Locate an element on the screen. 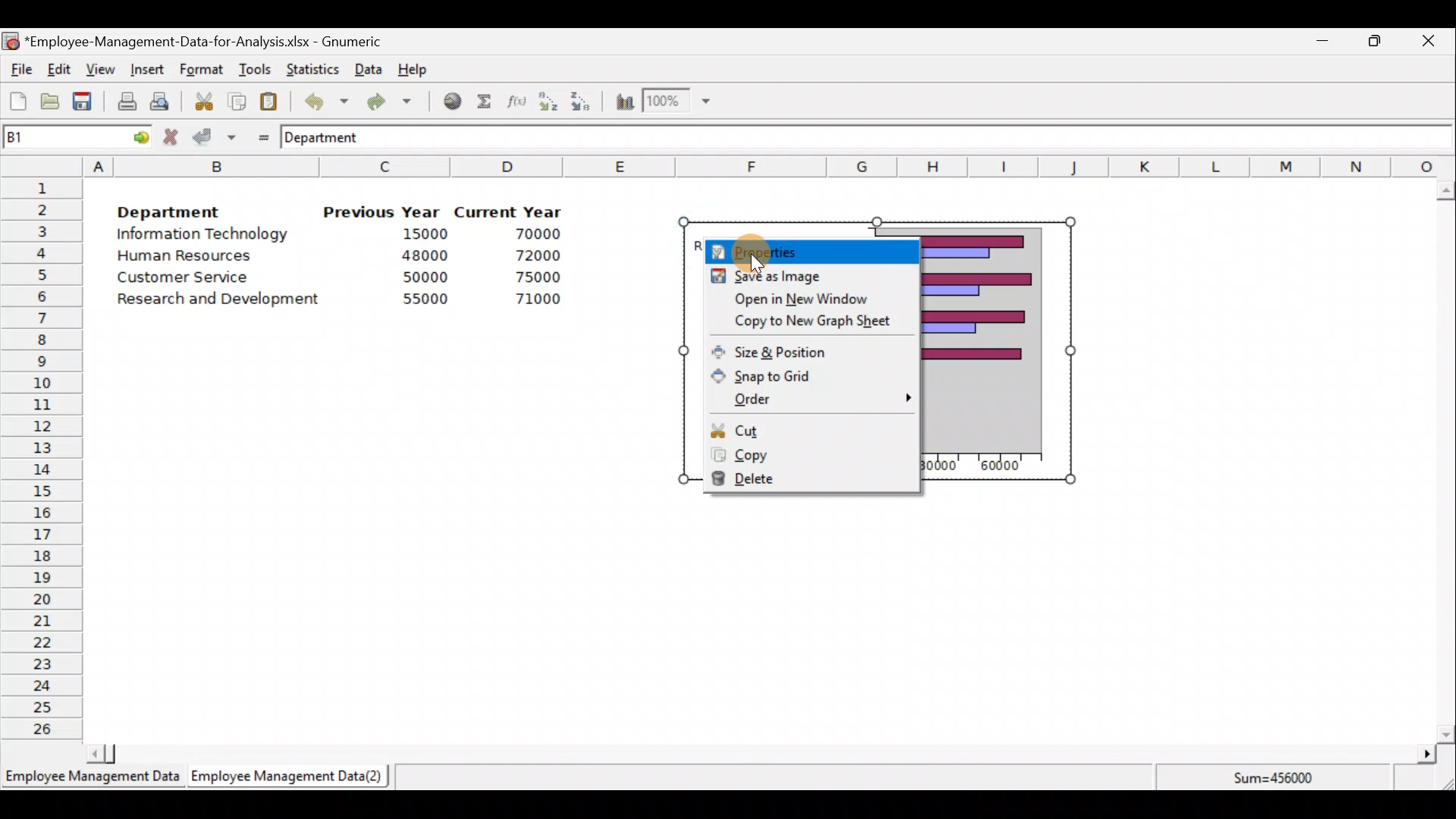 The image size is (1456, 819). Delete is located at coordinates (802, 482).